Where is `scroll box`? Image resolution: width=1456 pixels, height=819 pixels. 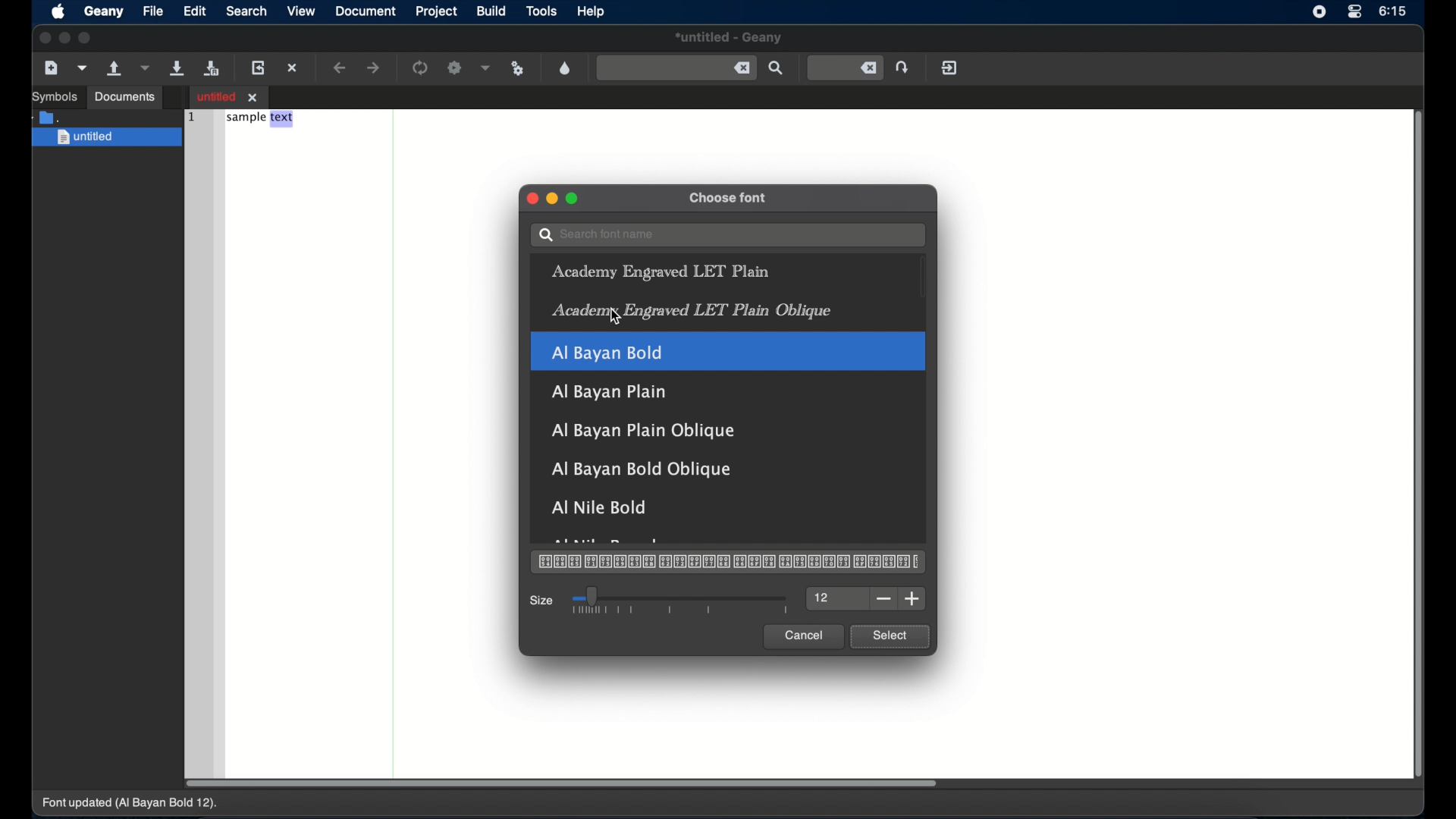 scroll box is located at coordinates (561, 783).